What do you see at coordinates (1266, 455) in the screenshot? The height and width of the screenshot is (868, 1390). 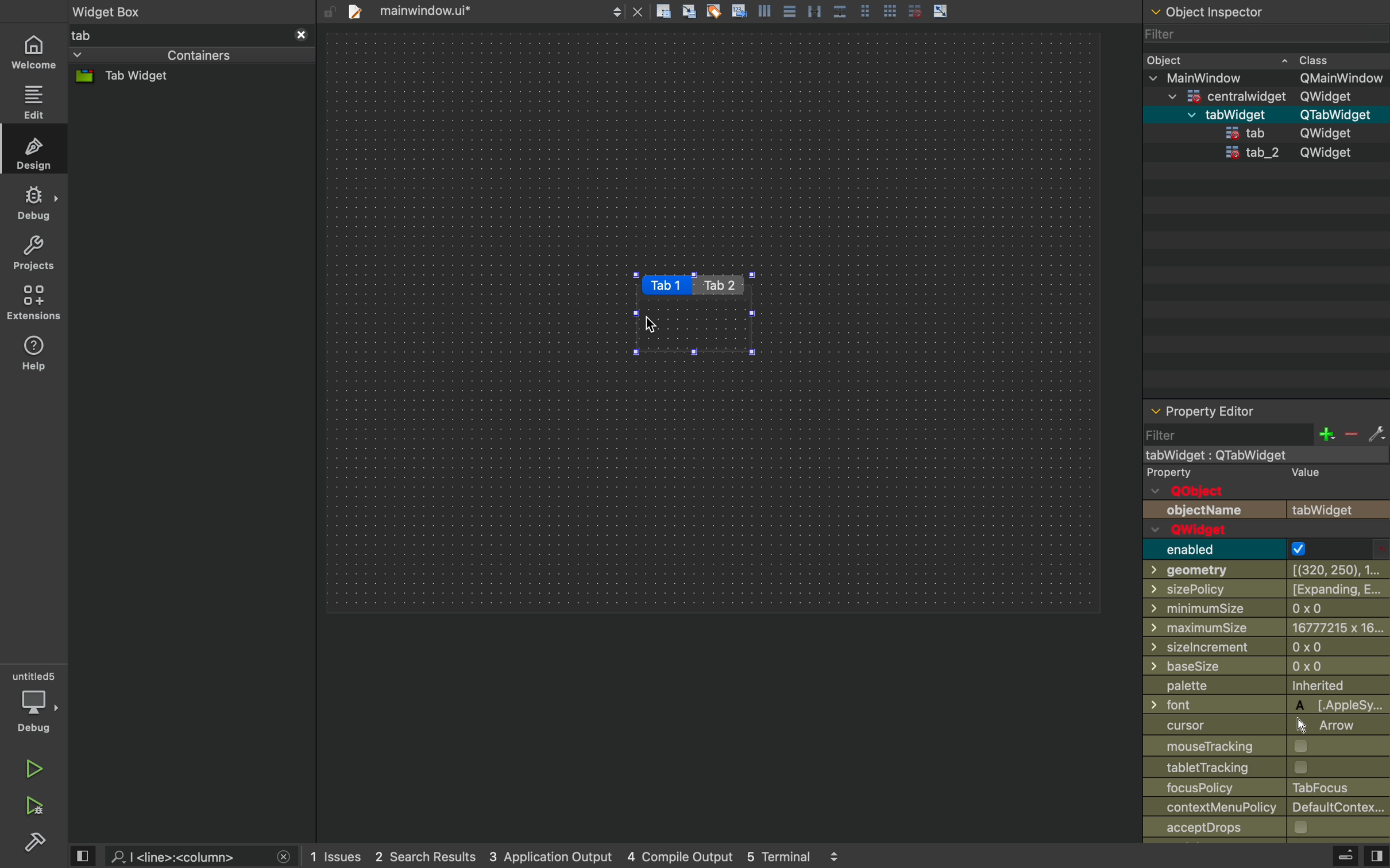 I see `mainwindow` at bounding box center [1266, 455].